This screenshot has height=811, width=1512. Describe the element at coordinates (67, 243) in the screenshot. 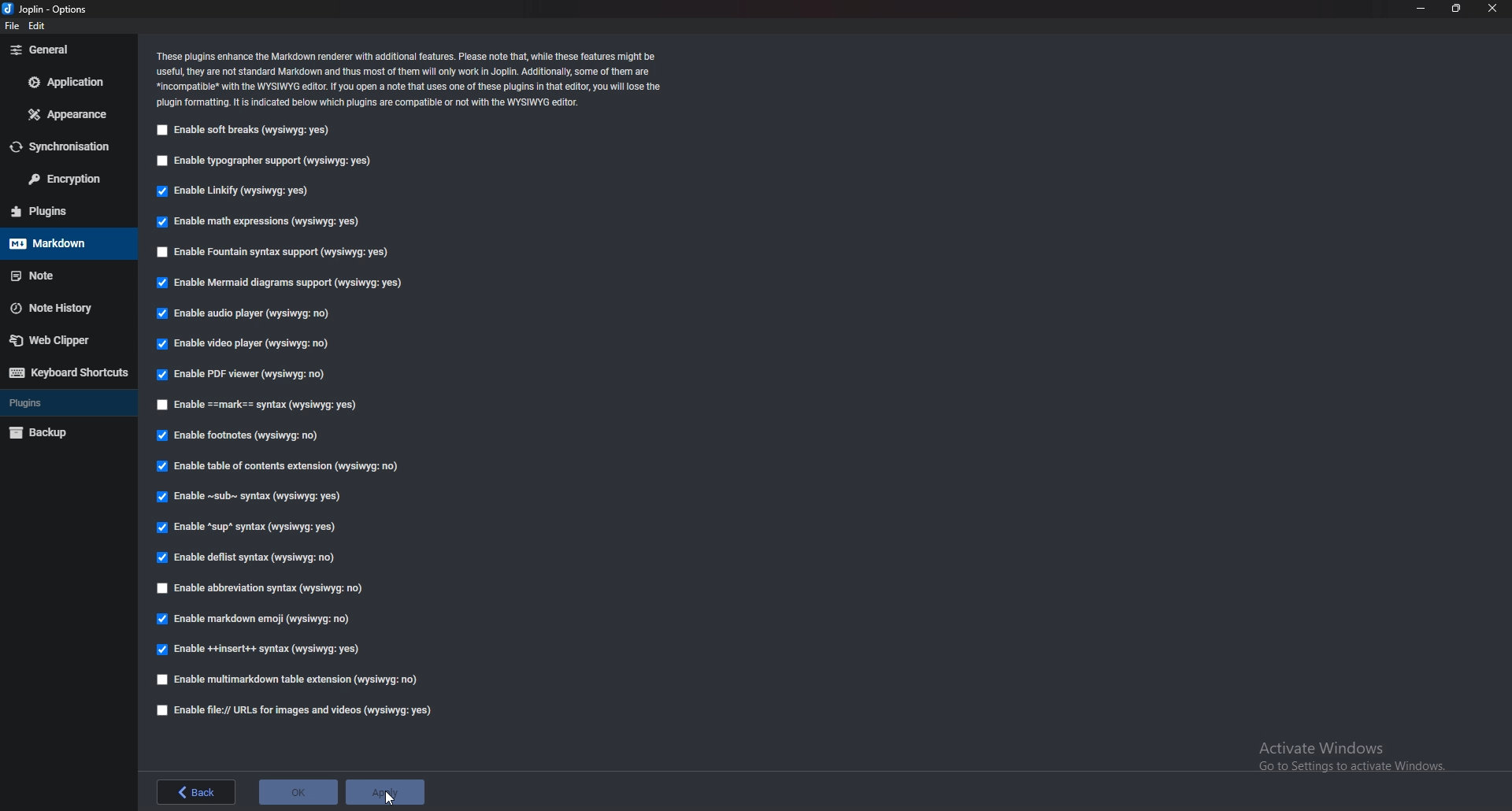

I see `Mark down` at that location.